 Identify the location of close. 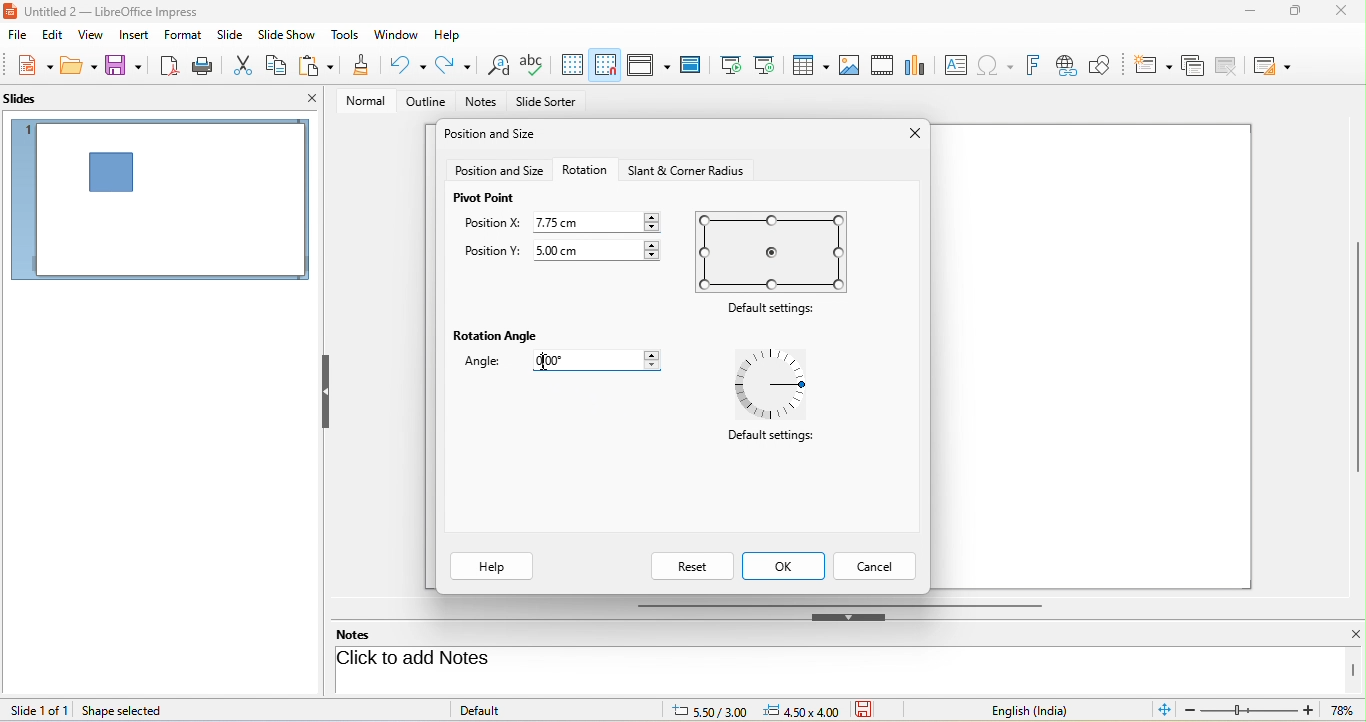
(1339, 12).